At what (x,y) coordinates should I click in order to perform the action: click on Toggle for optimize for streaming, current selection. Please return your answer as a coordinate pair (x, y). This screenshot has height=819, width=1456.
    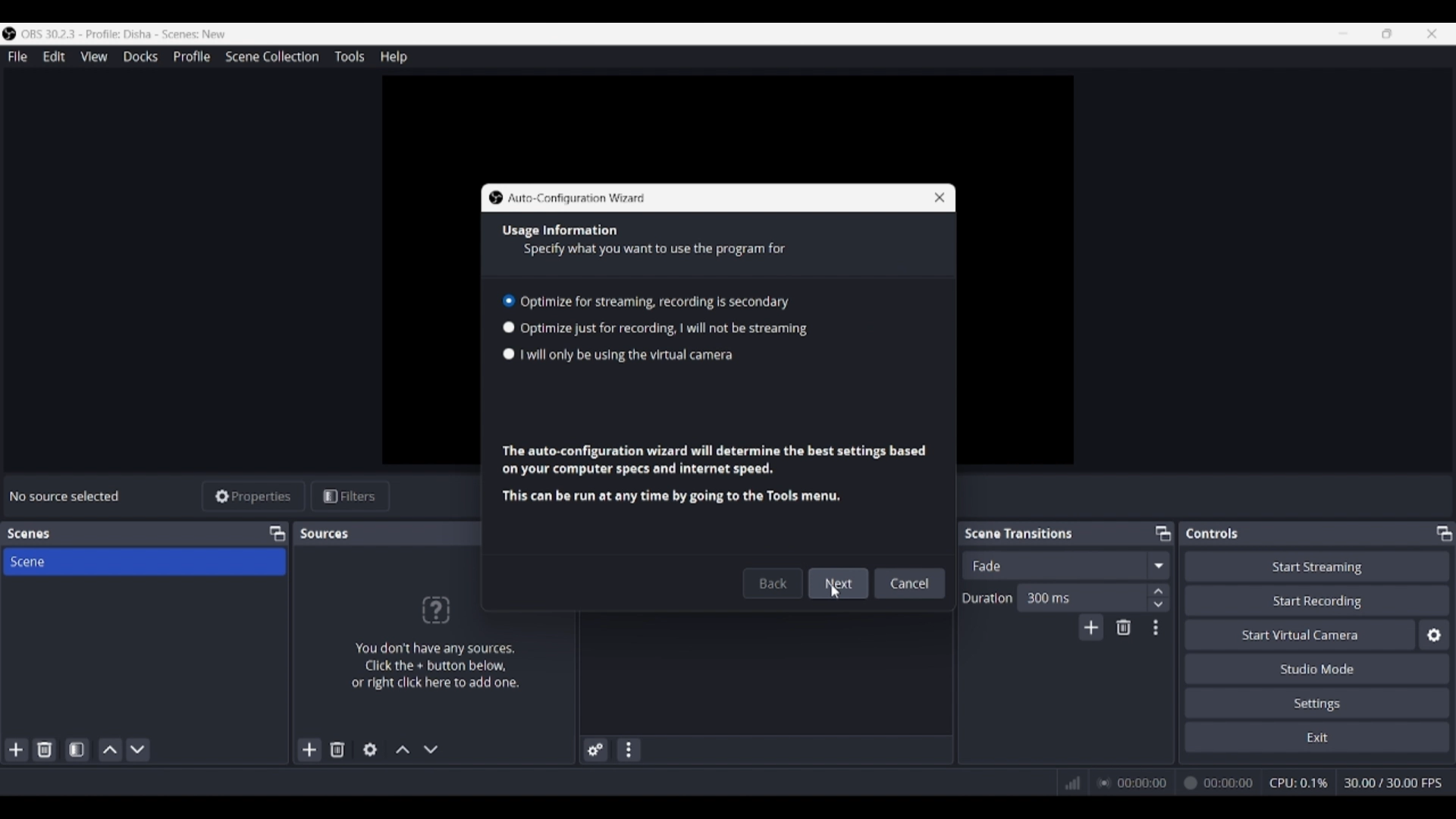
    Looking at the image, I should click on (646, 300).